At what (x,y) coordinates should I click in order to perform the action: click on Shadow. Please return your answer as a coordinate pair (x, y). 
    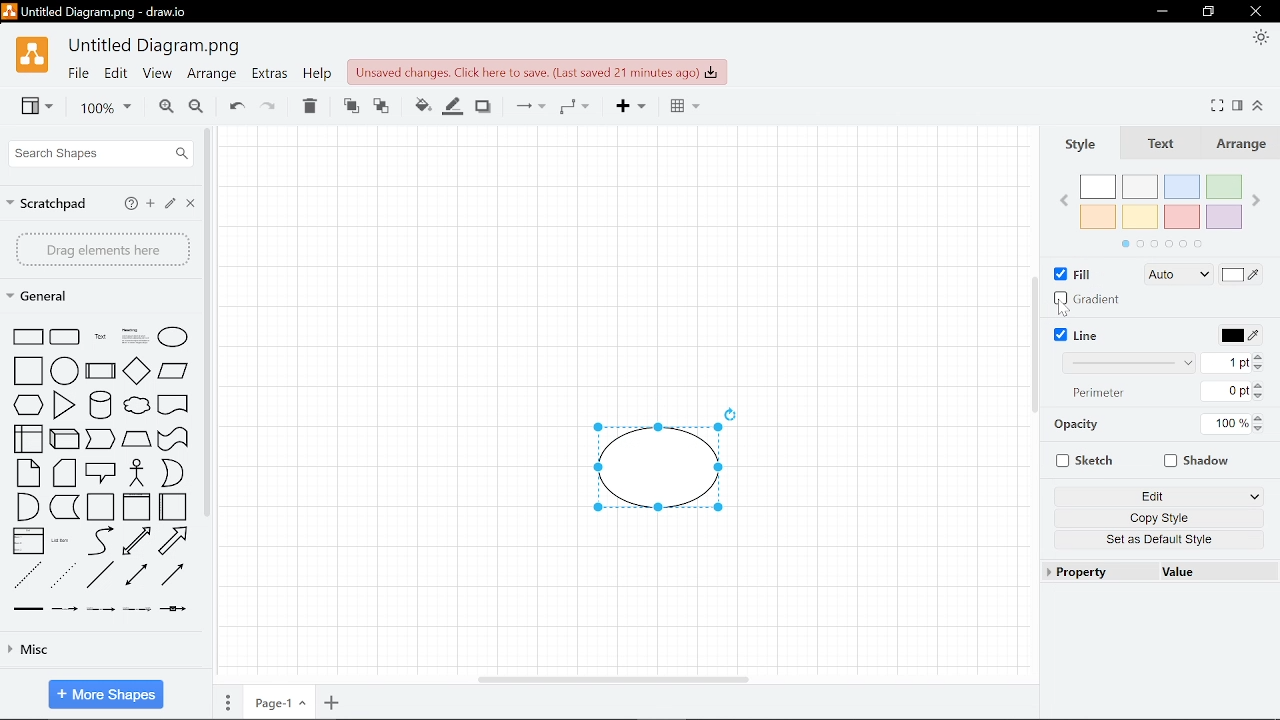
    Looking at the image, I should click on (1199, 460).